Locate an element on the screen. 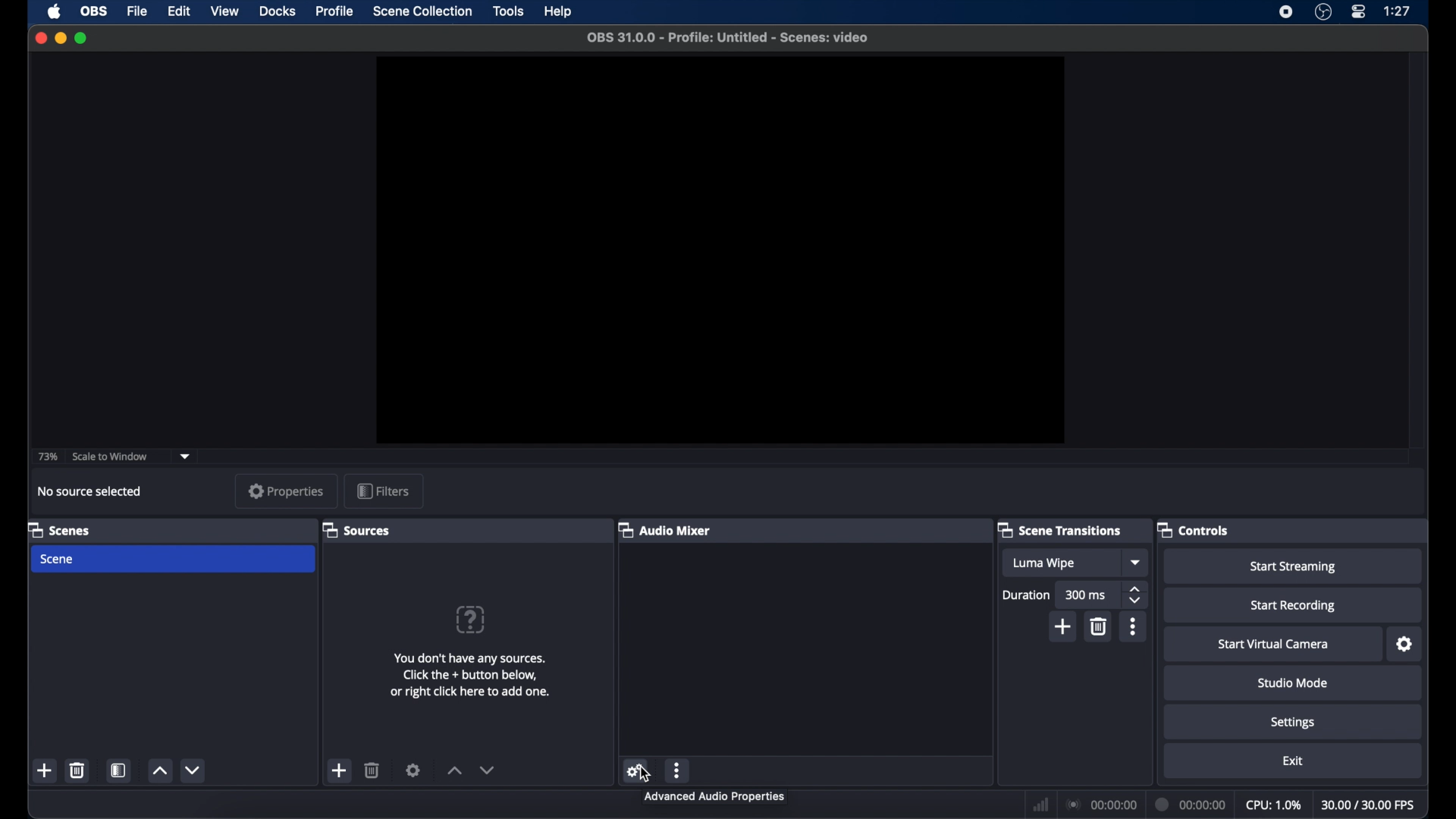 The image size is (1456, 819). 300ms is located at coordinates (1086, 595).